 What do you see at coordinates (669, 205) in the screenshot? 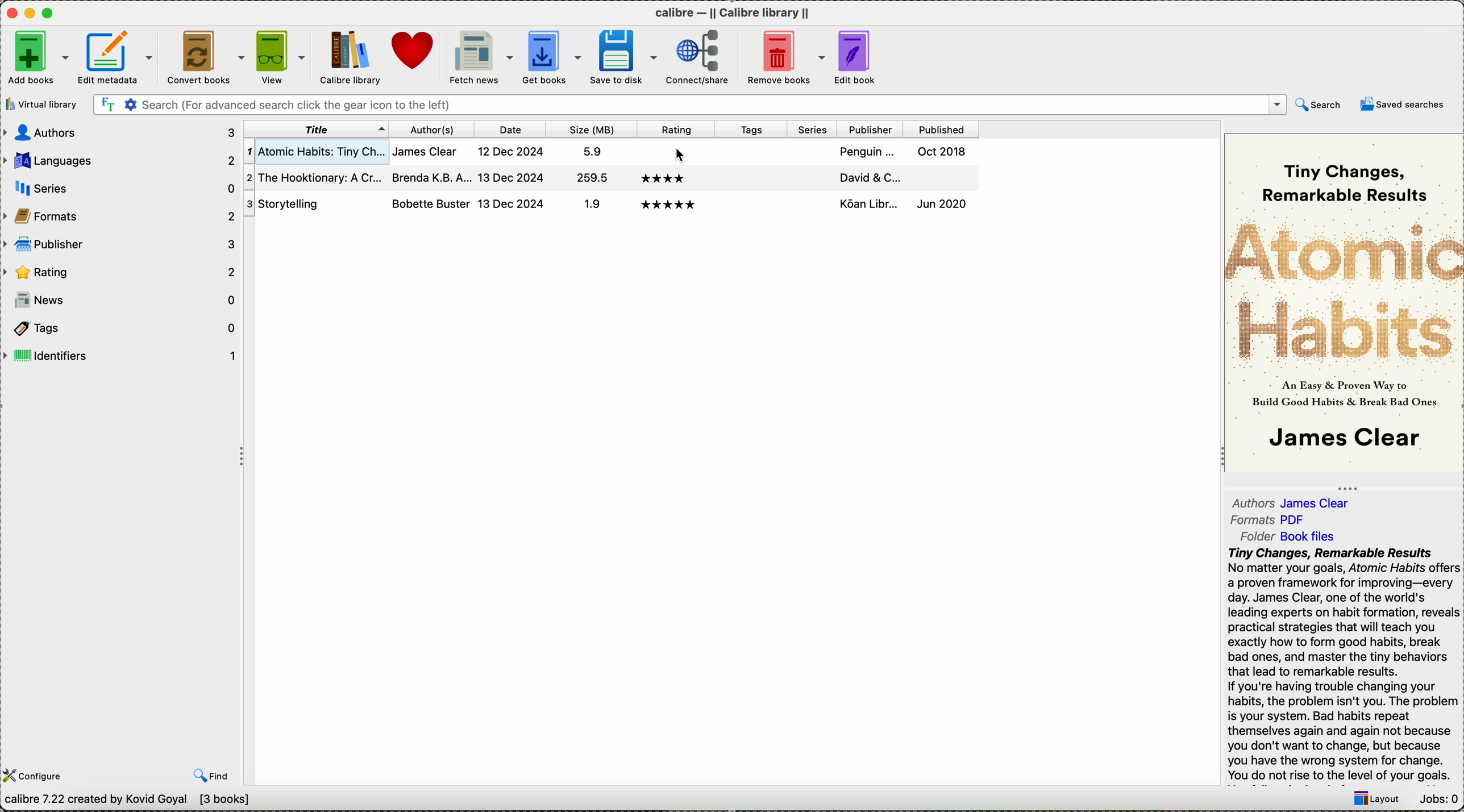
I see `5 star` at bounding box center [669, 205].